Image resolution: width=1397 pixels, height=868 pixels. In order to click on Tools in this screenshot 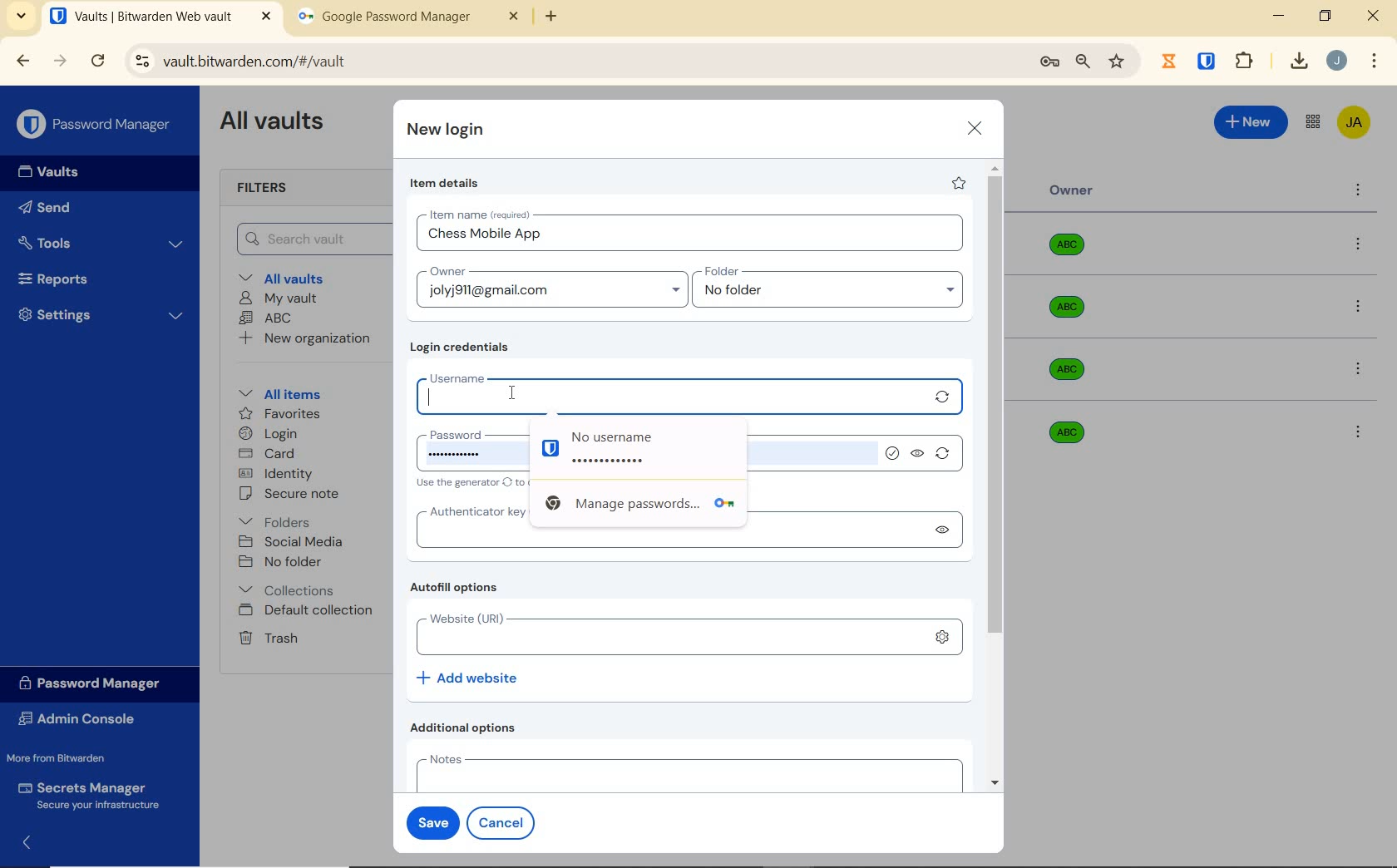, I will do `click(101, 244)`.